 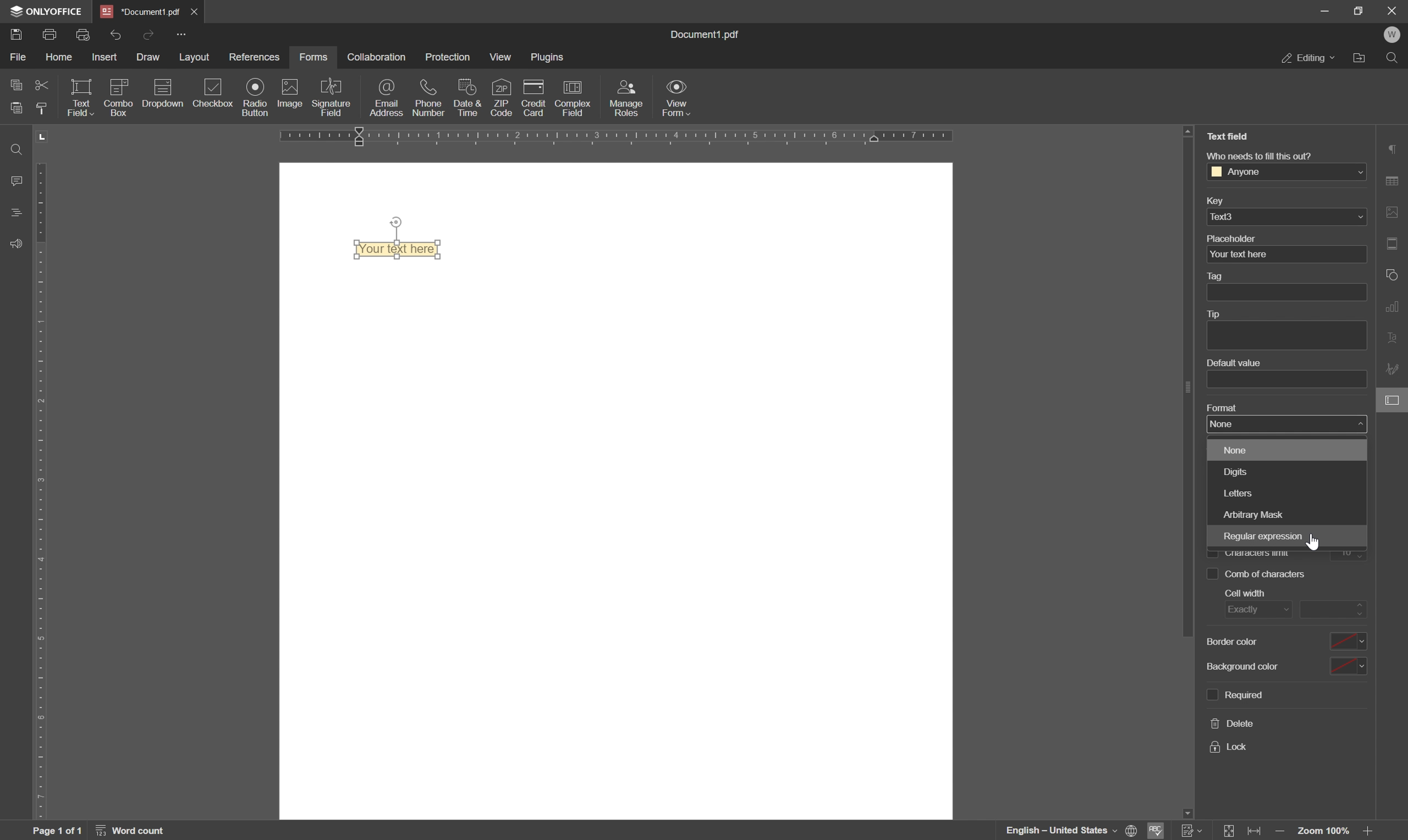 What do you see at coordinates (41, 84) in the screenshot?
I see `cut` at bounding box center [41, 84].